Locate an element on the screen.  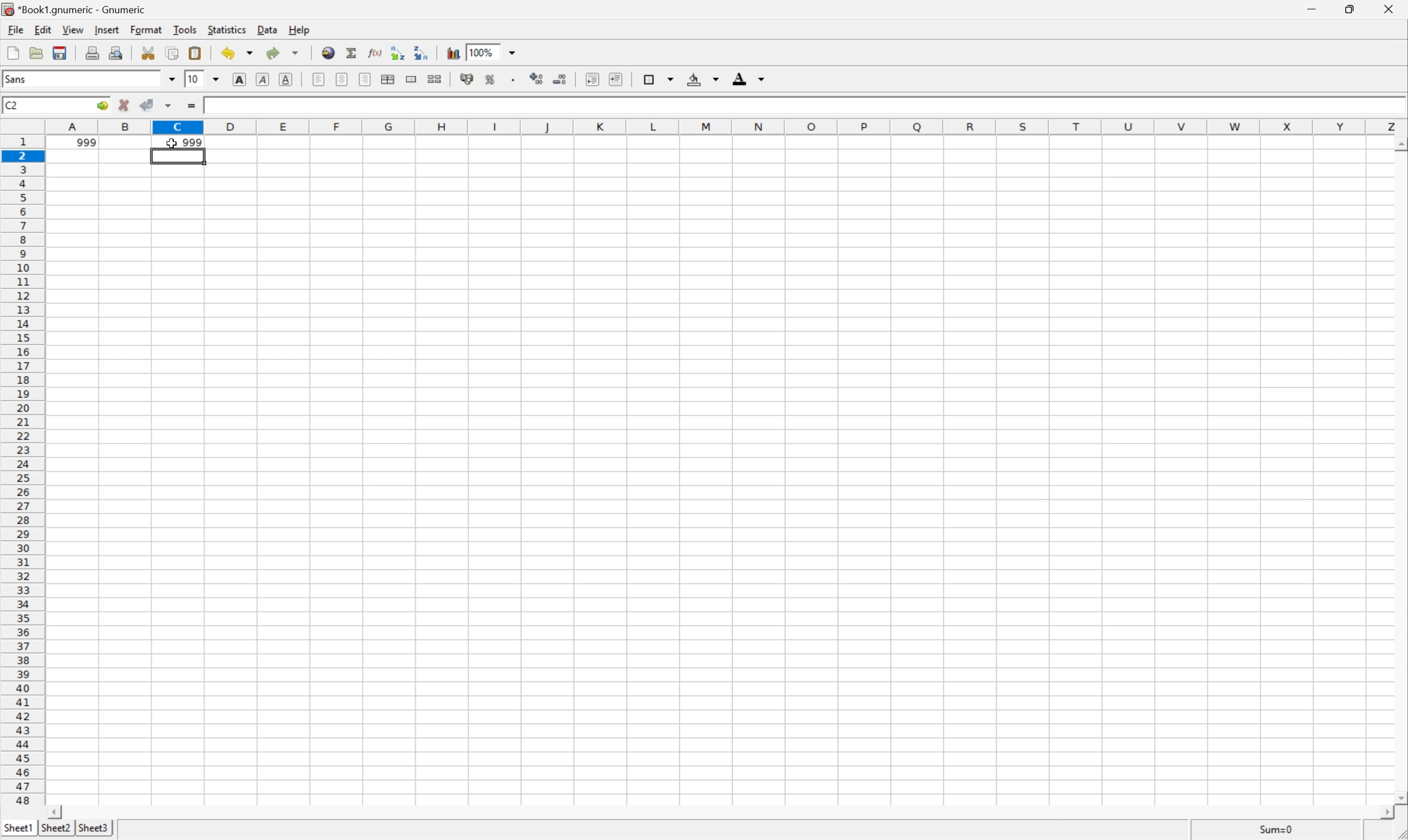
cancel change is located at coordinates (125, 104).